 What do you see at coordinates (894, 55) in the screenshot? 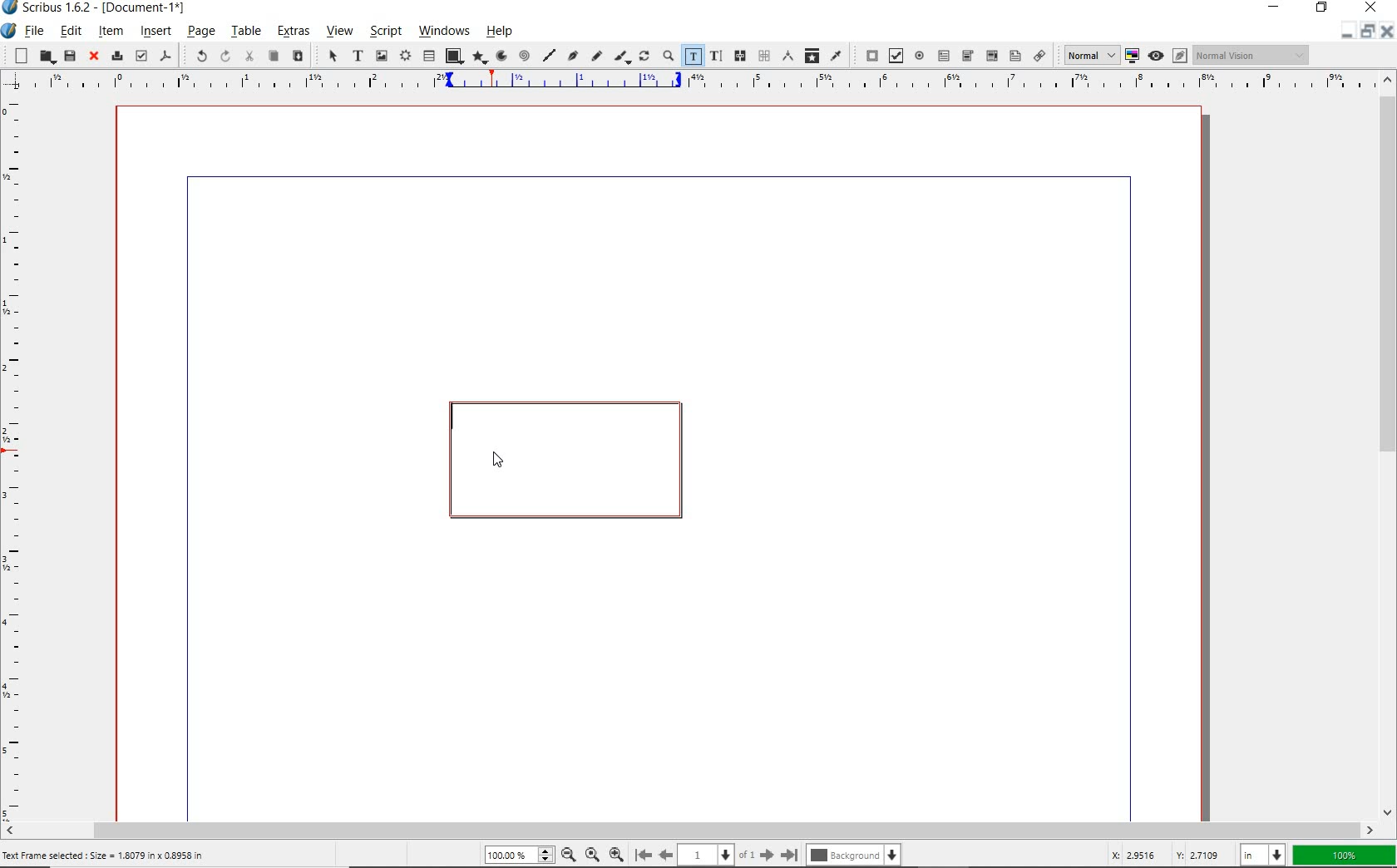
I see `pdf check box` at bounding box center [894, 55].